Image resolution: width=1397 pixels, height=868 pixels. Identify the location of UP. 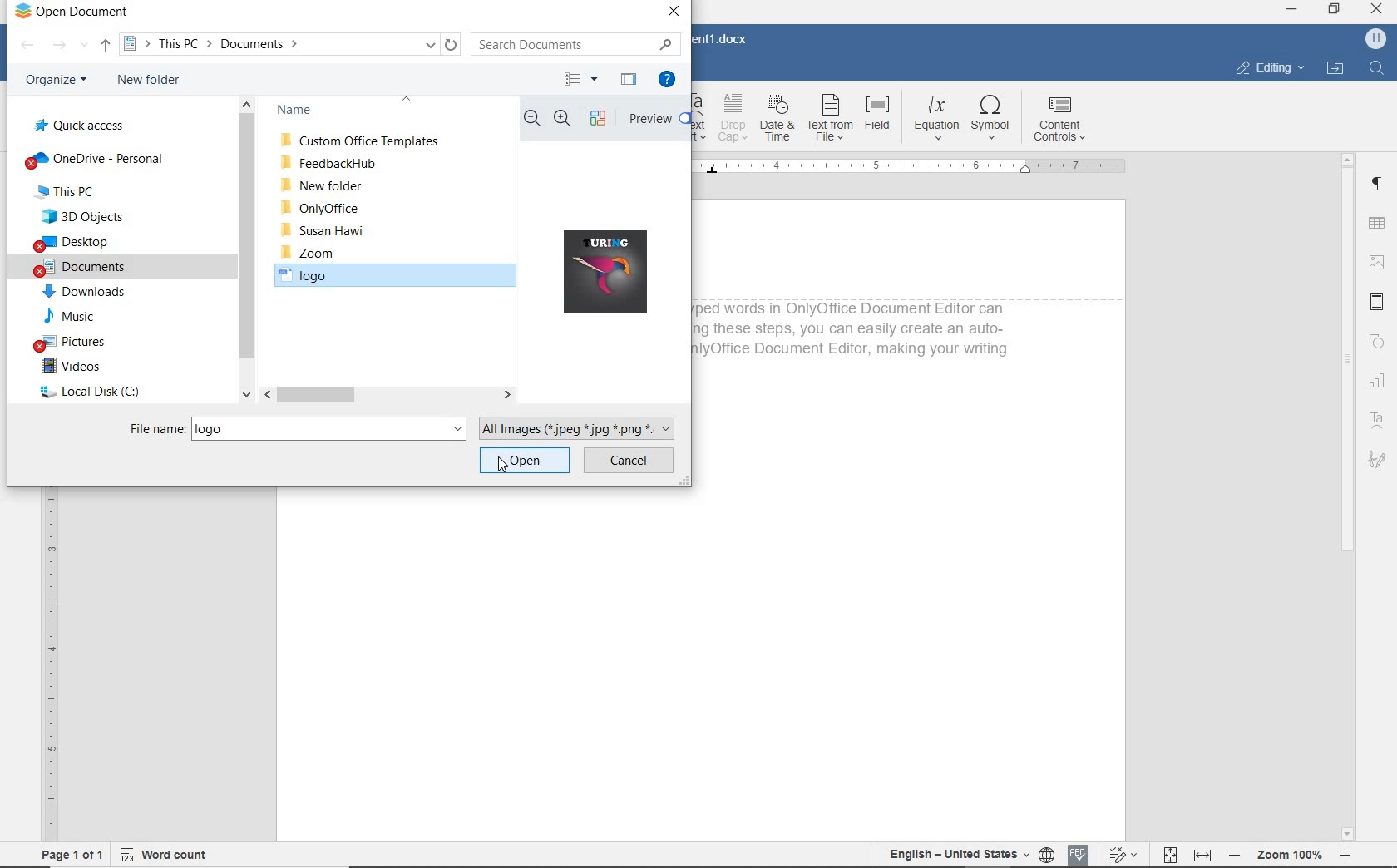
(105, 46).